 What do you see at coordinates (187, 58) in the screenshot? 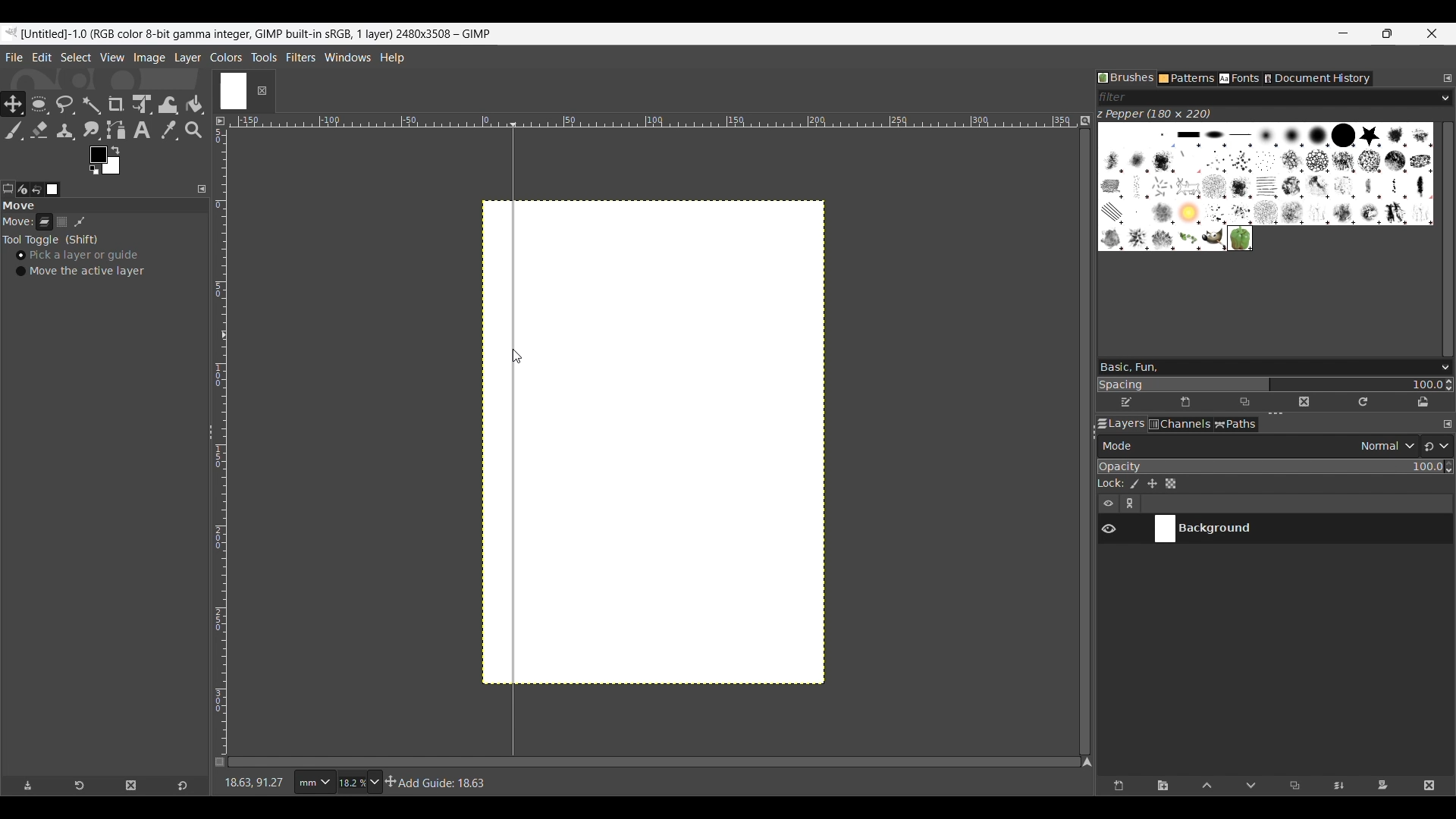
I see `Layer menu` at bounding box center [187, 58].